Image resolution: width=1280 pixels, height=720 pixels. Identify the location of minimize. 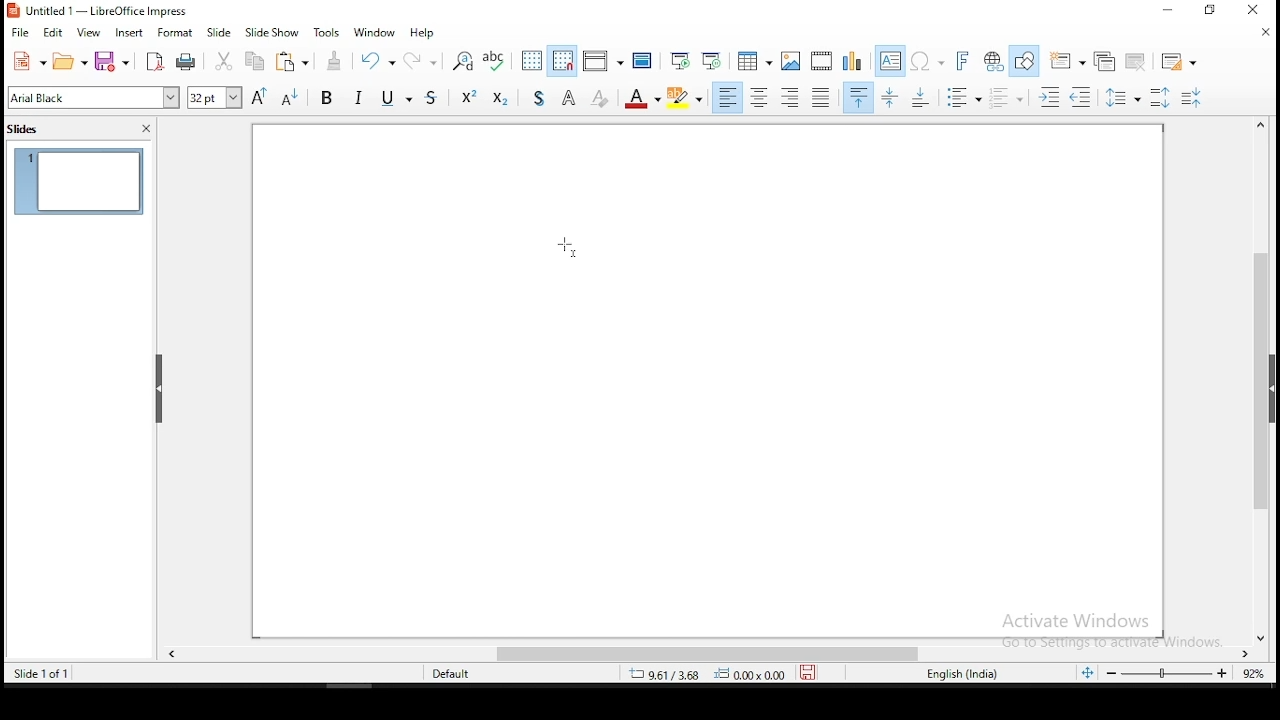
(1169, 10).